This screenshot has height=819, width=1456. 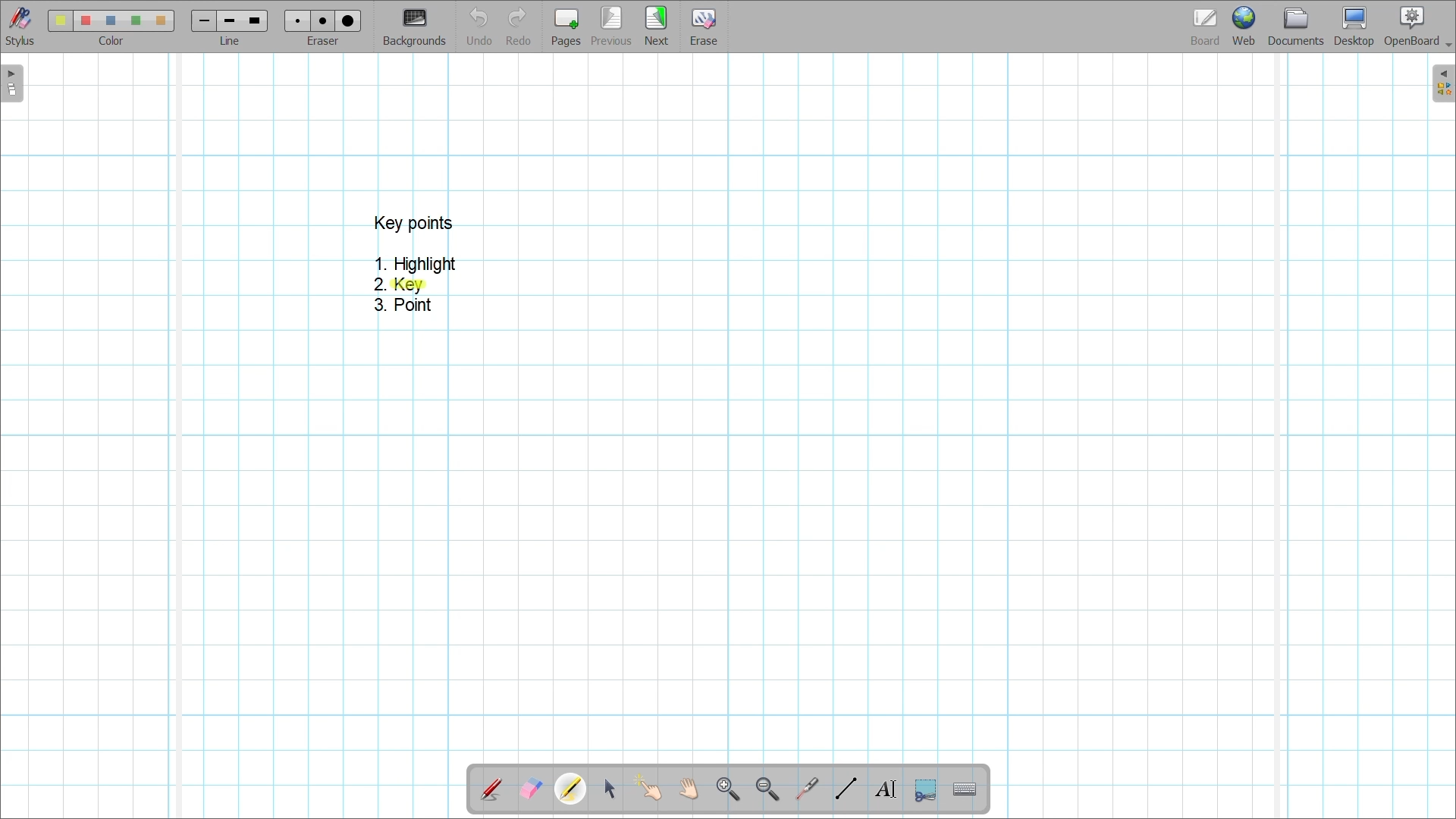 I want to click on Web, so click(x=1244, y=26).